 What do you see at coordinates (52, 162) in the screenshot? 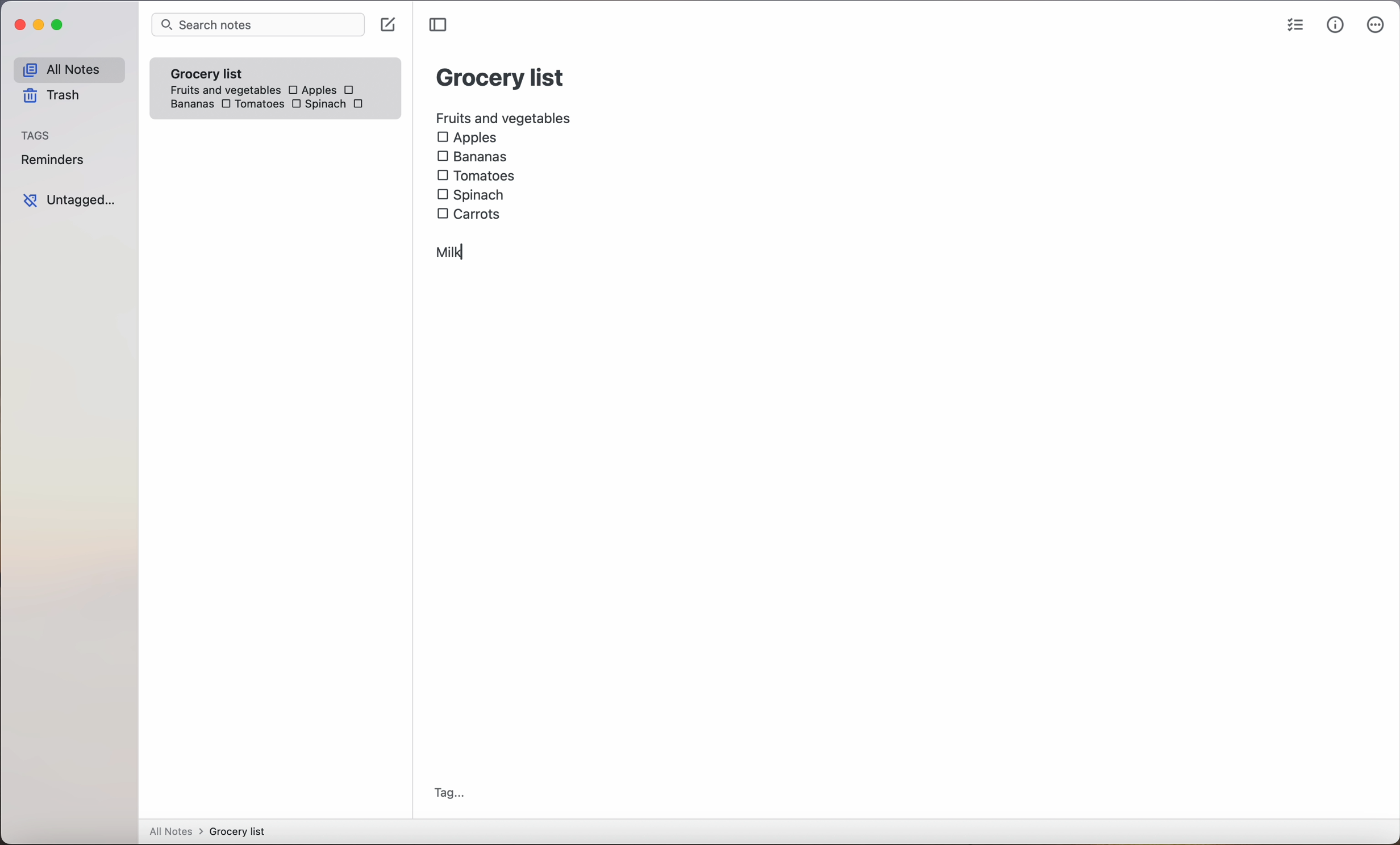
I see `reminders` at bounding box center [52, 162].